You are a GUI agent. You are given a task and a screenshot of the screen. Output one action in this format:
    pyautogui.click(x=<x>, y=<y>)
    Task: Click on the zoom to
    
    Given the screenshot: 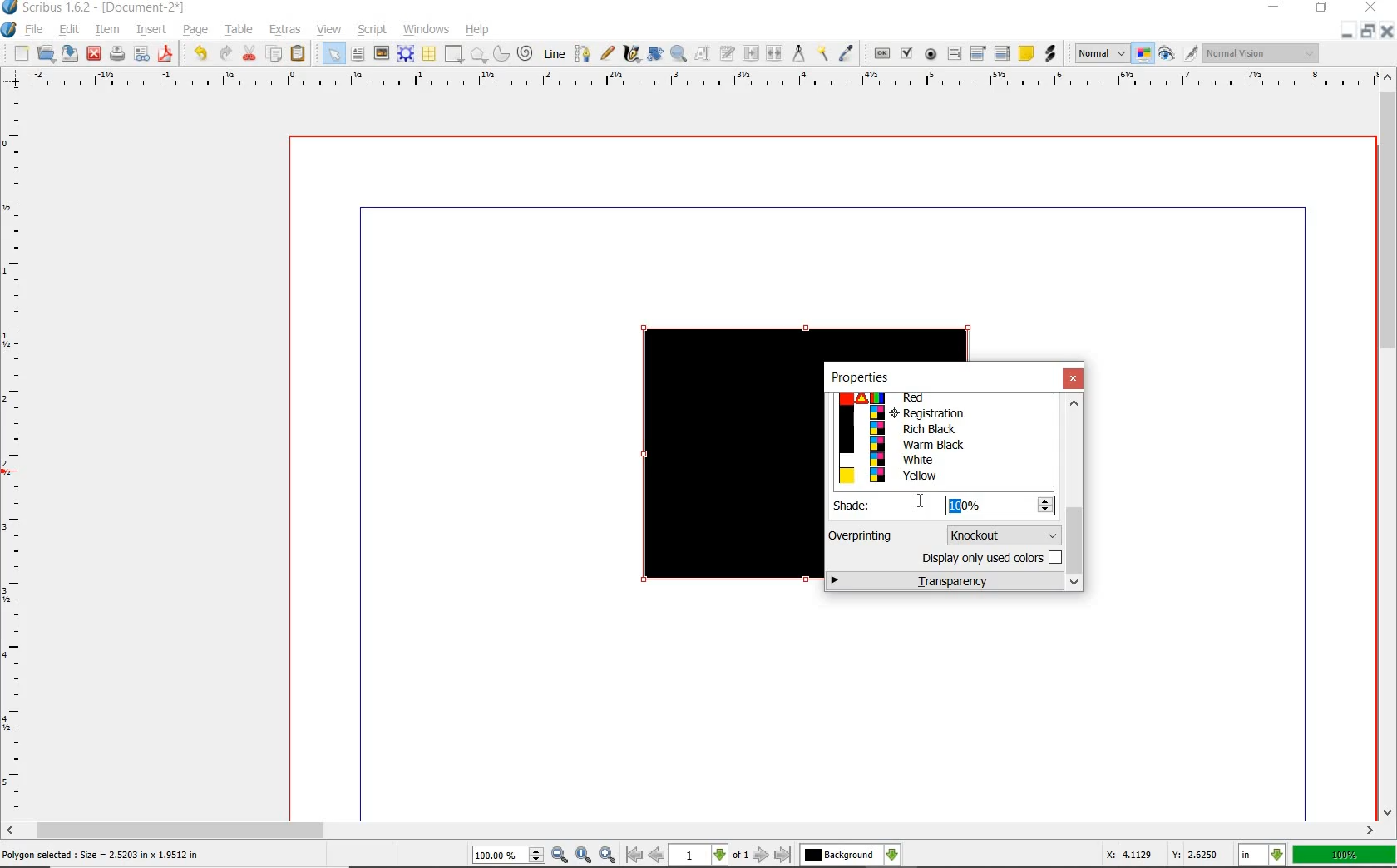 What is the action you would take?
    pyautogui.click(x=583, y=855)
    